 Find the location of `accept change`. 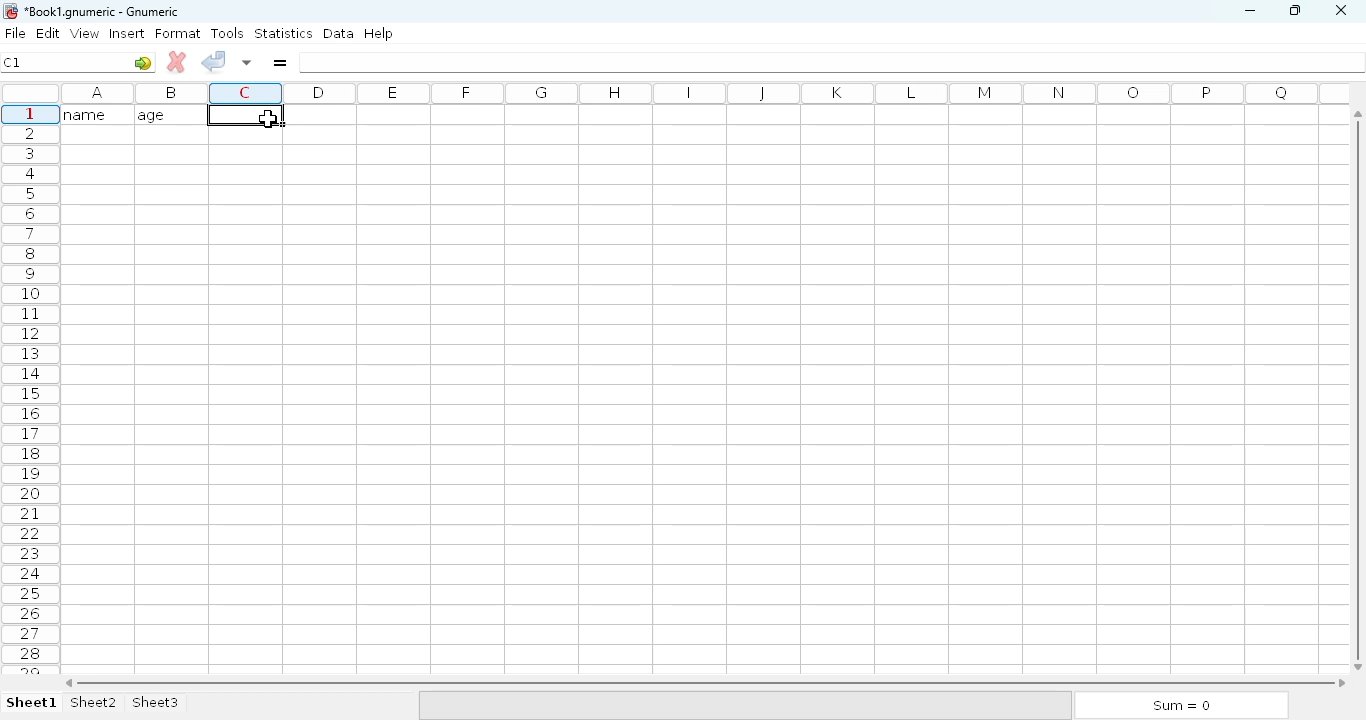

accept change is located at coordinates (213, 60).